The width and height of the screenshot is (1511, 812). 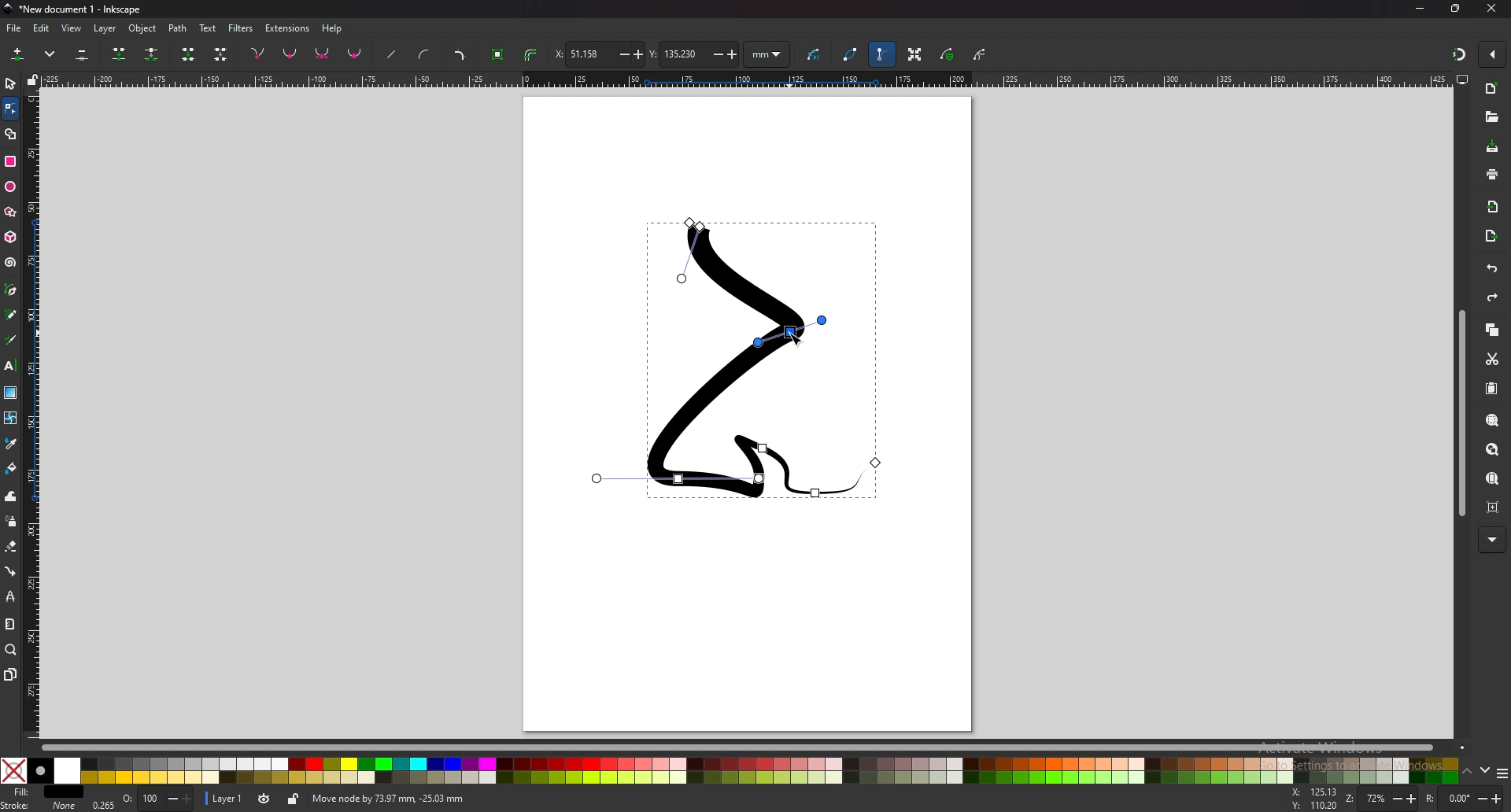 What do you see at coordinates (730, 361) in the screenshot?
I see `drawing` at bounding box center [730, 361].